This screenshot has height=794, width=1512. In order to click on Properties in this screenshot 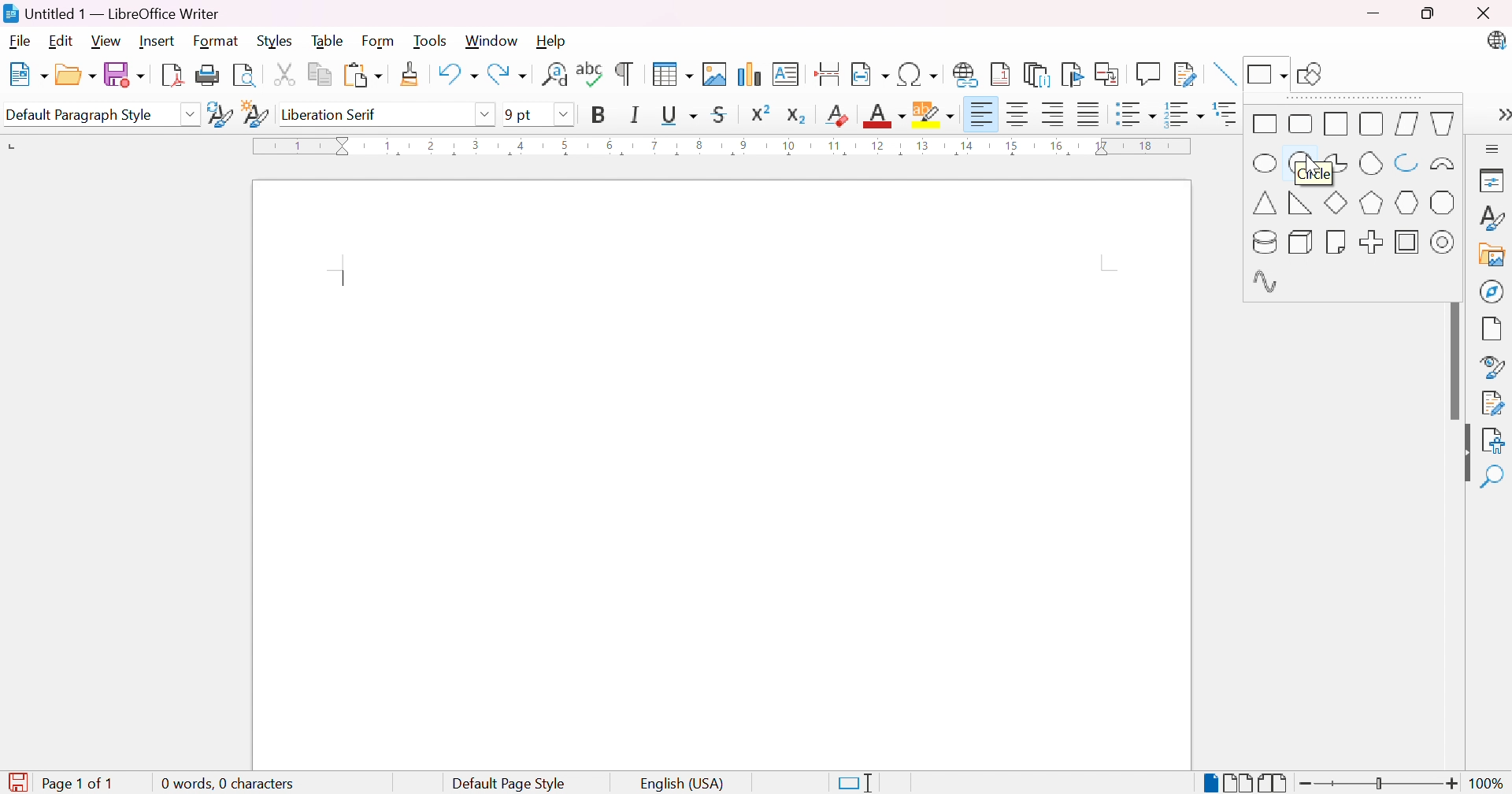, I will do `click(1495, 180)`.